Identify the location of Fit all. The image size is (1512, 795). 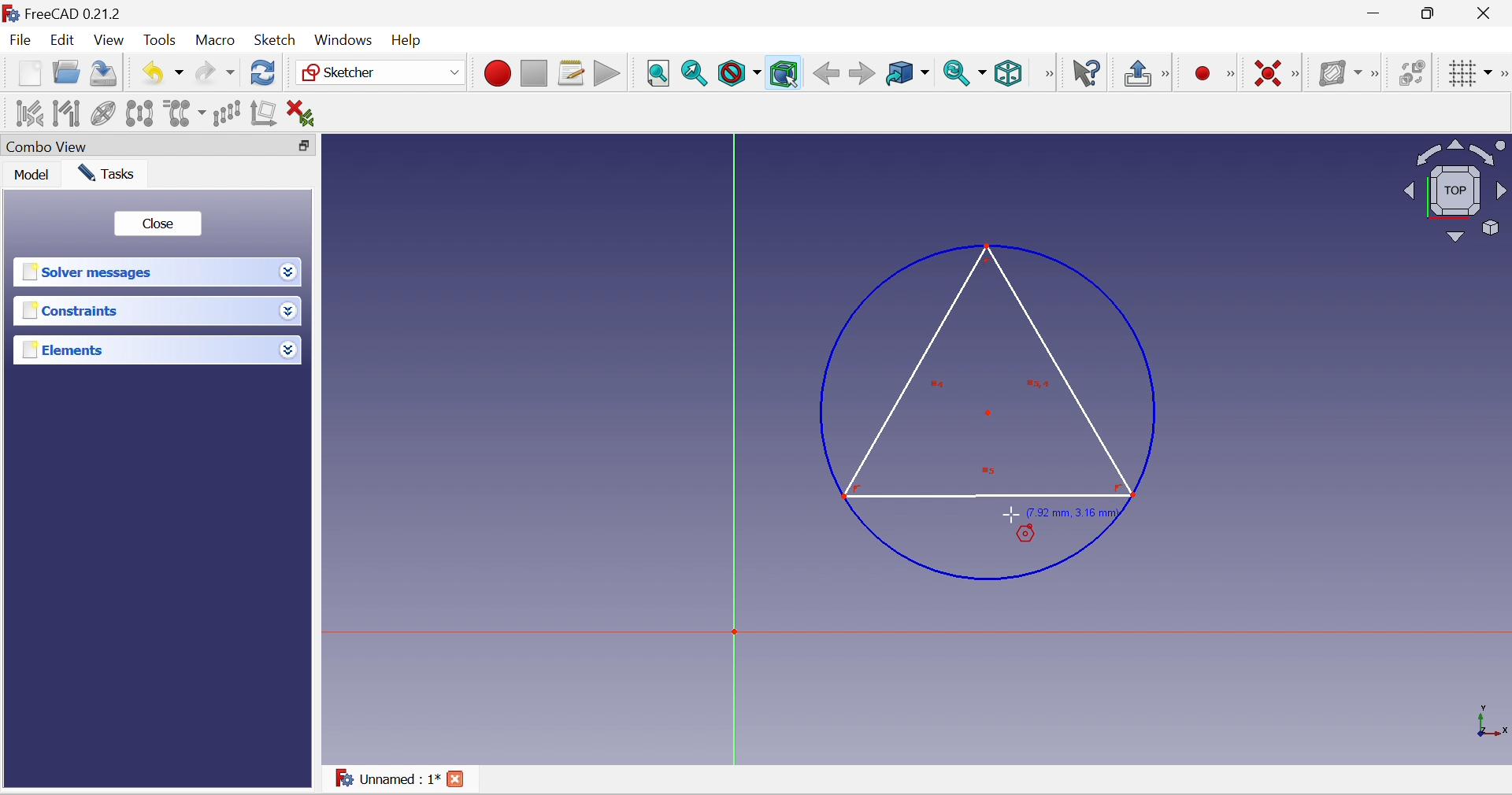
(659, 75).